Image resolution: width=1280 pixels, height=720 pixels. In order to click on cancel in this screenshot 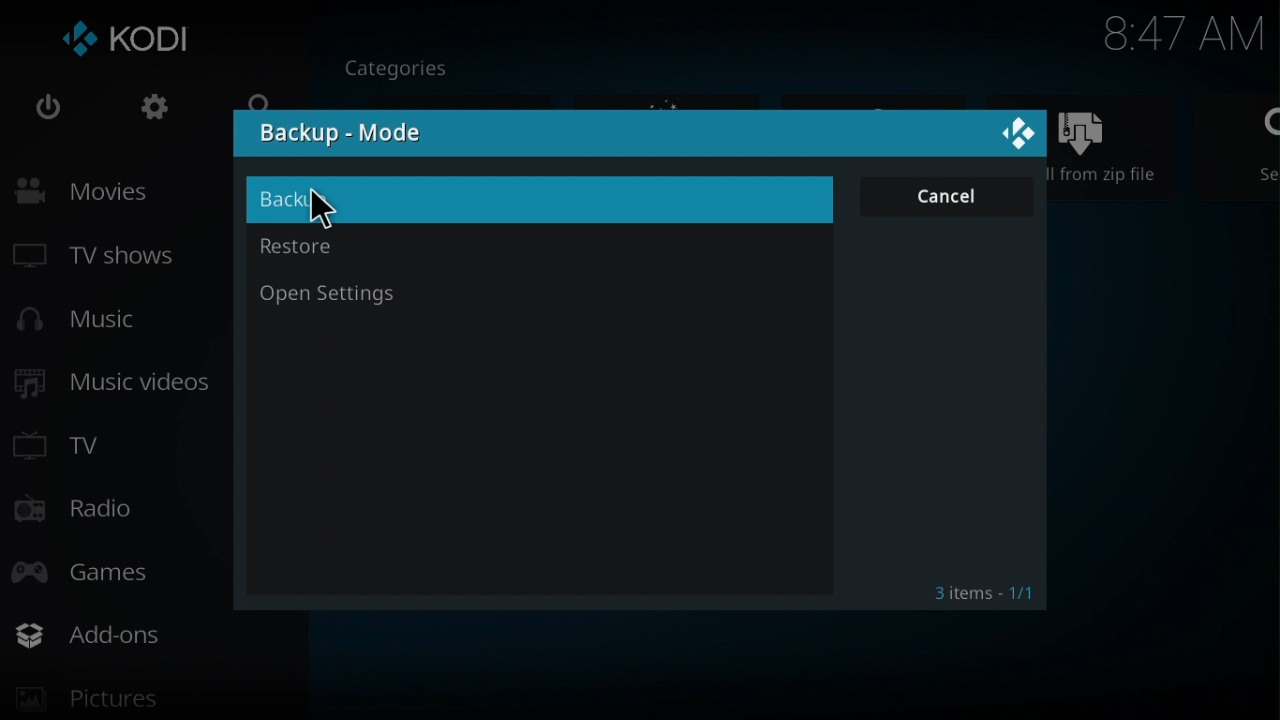, I will do `click(943, 200)`.